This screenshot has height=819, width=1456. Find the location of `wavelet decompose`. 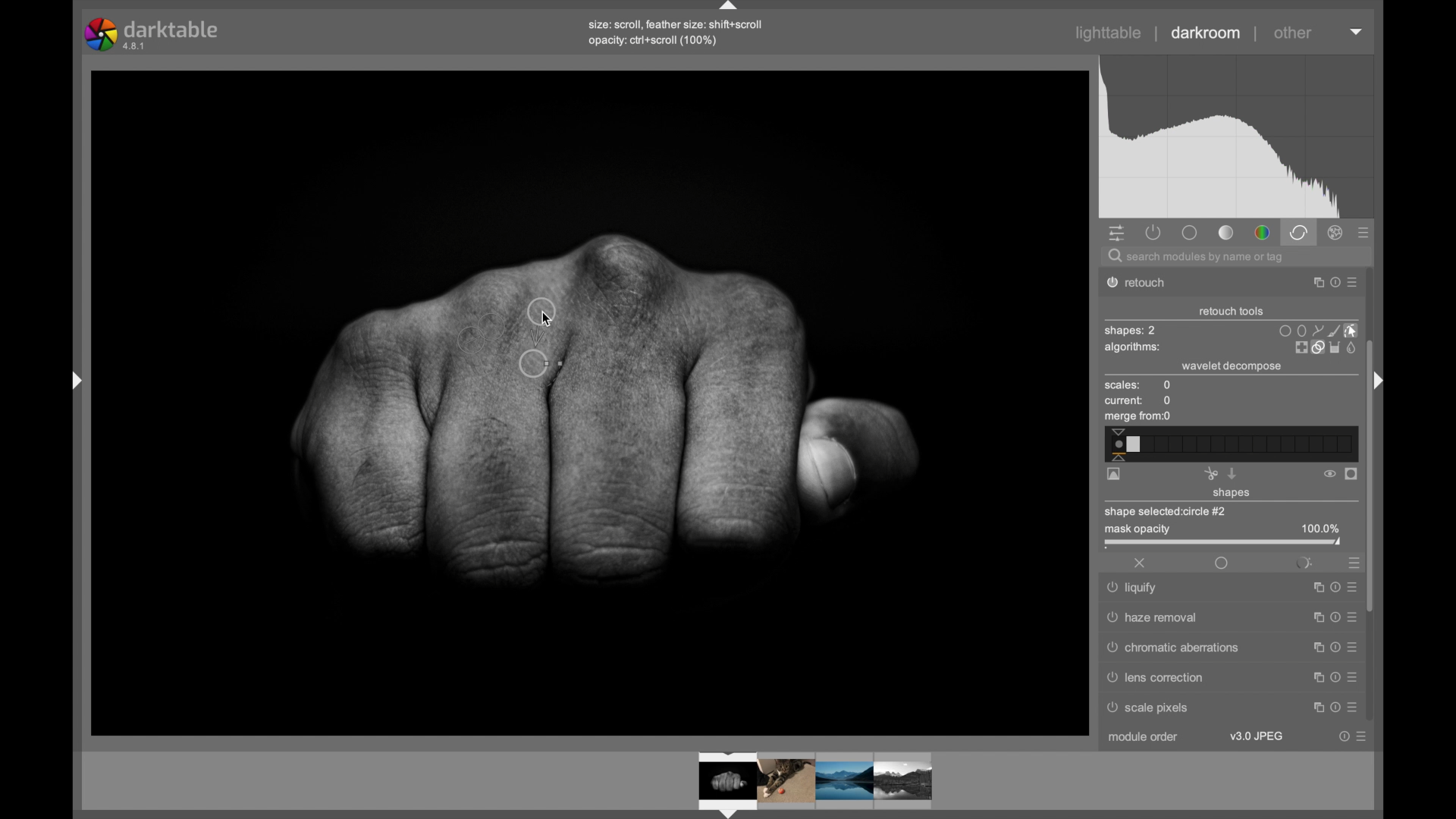

wavelet decompose is located at coordinates (1232, 366).